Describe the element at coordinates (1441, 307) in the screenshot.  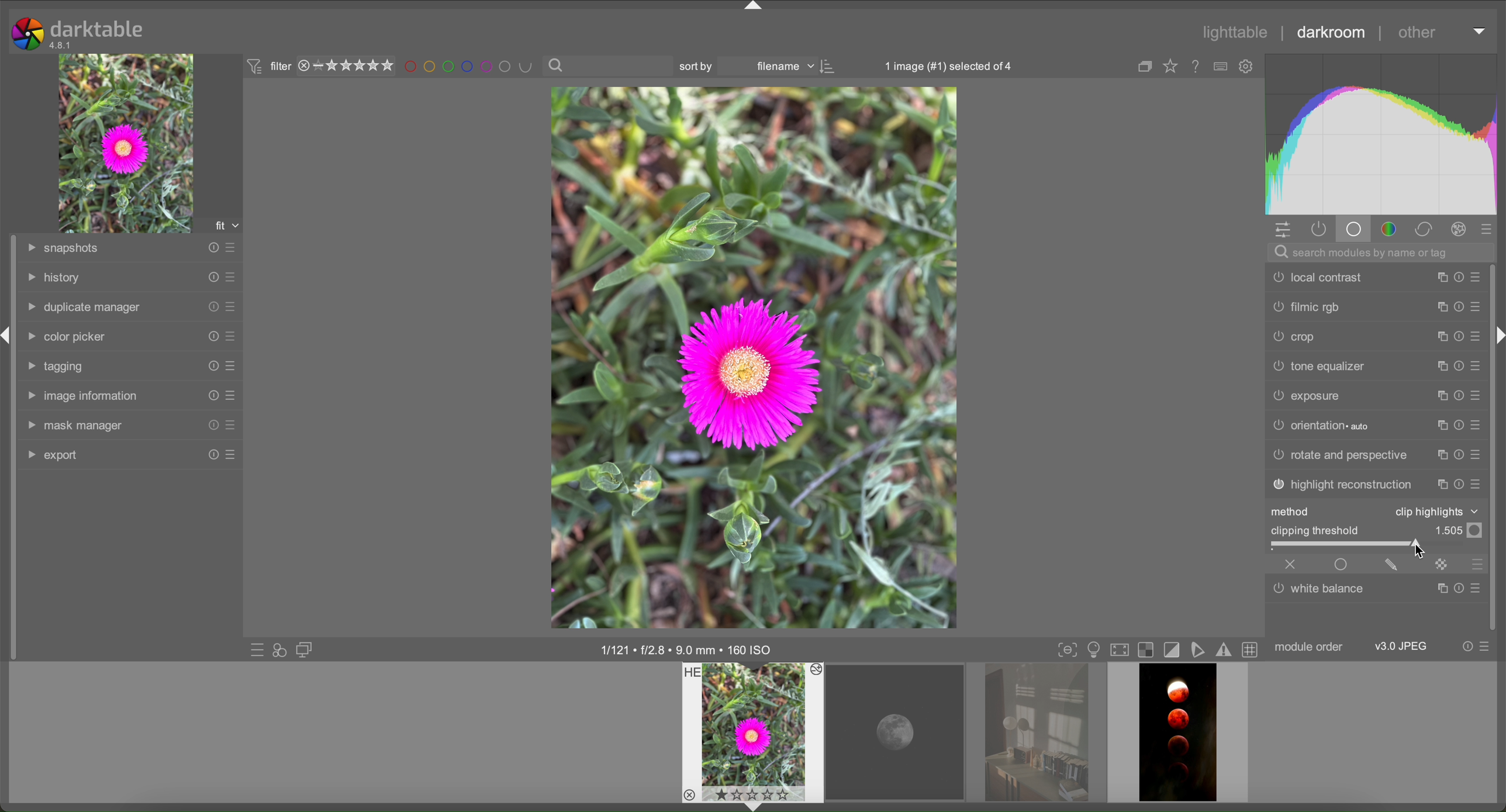
I see `copy` at that location.